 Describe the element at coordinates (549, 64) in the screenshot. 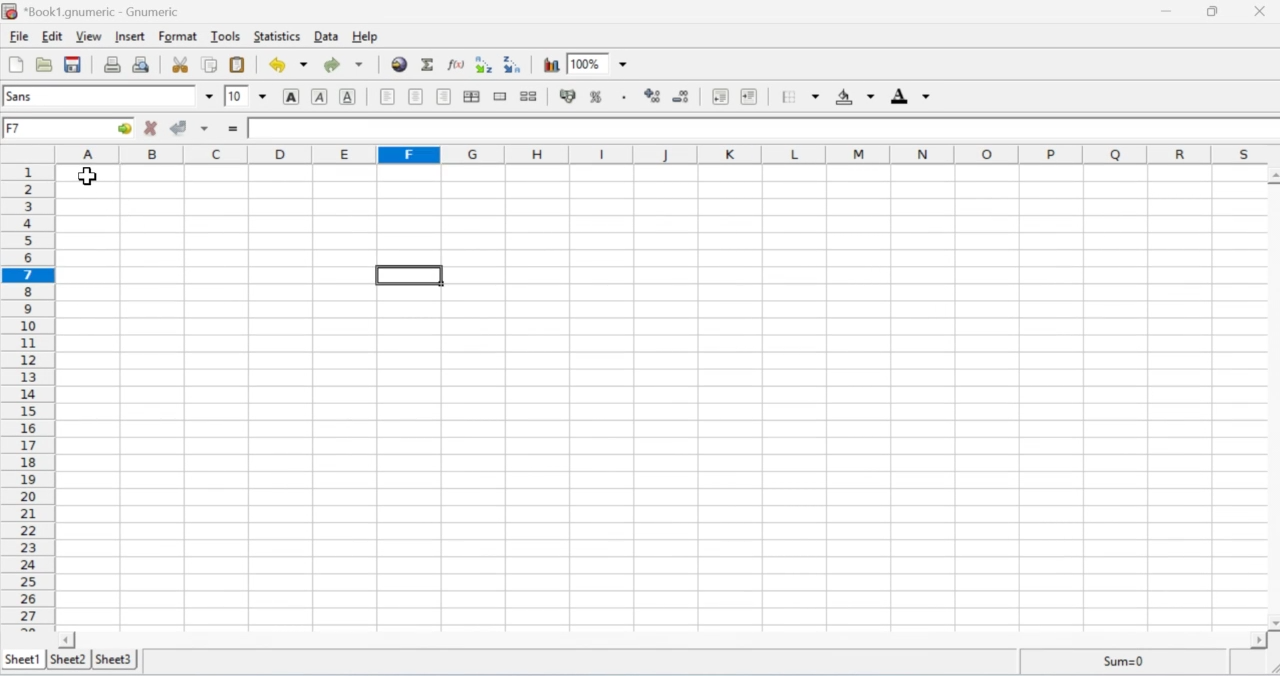

I see `Chart` at that location.